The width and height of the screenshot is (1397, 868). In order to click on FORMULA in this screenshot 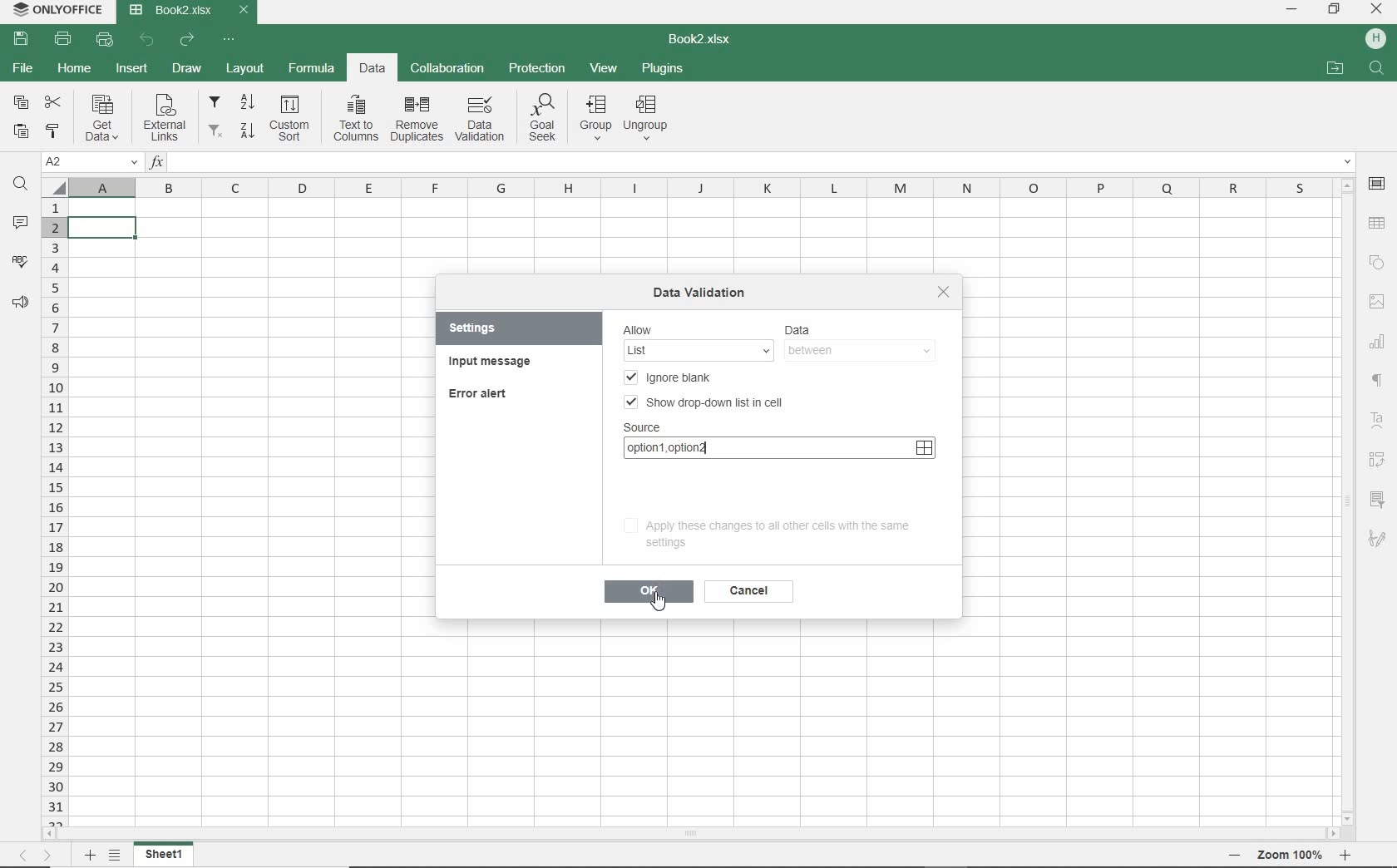, I will do `click(314, 70)`.